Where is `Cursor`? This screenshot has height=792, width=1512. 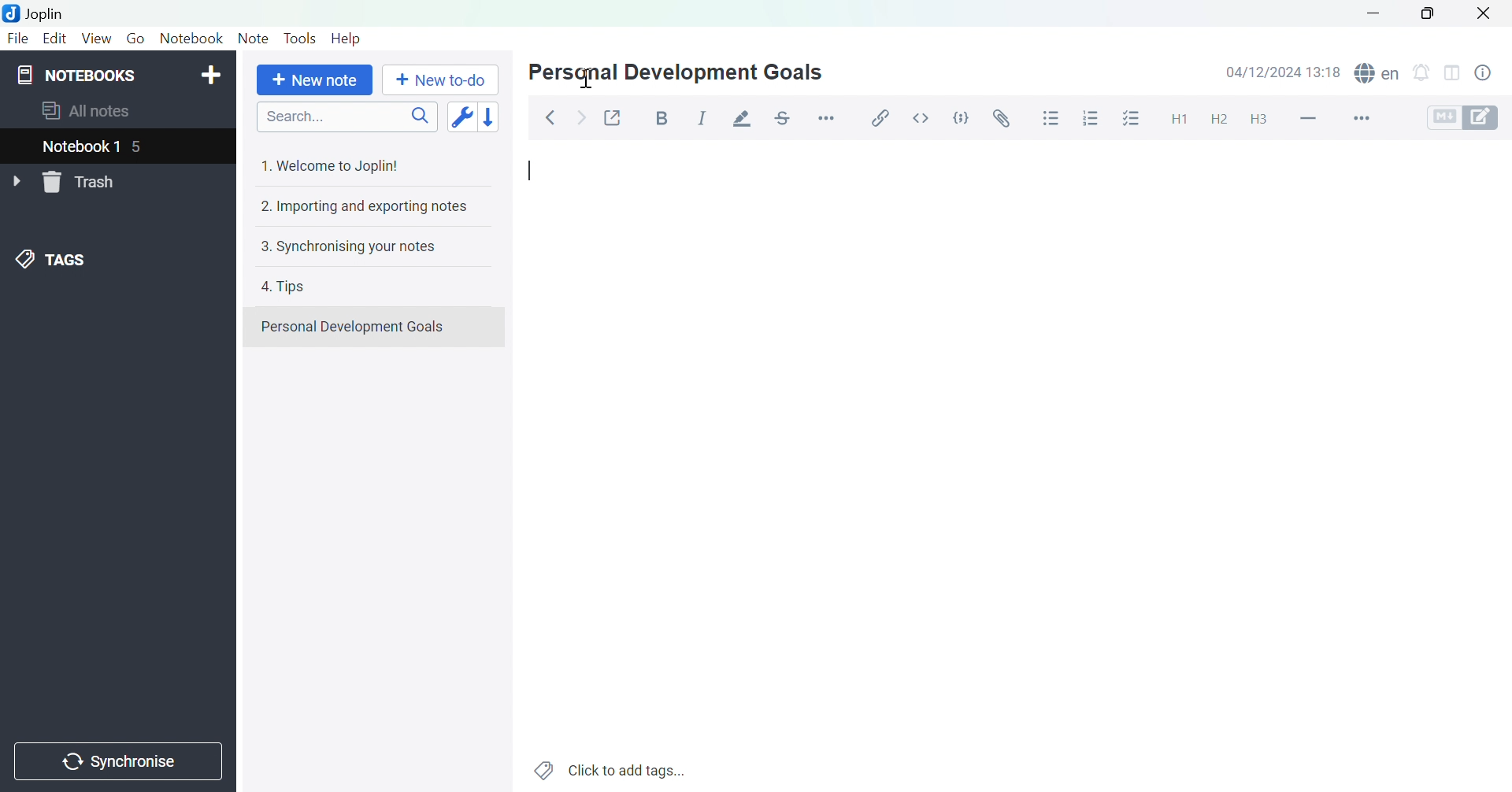 Cursor is located at coordinates (590, 79).